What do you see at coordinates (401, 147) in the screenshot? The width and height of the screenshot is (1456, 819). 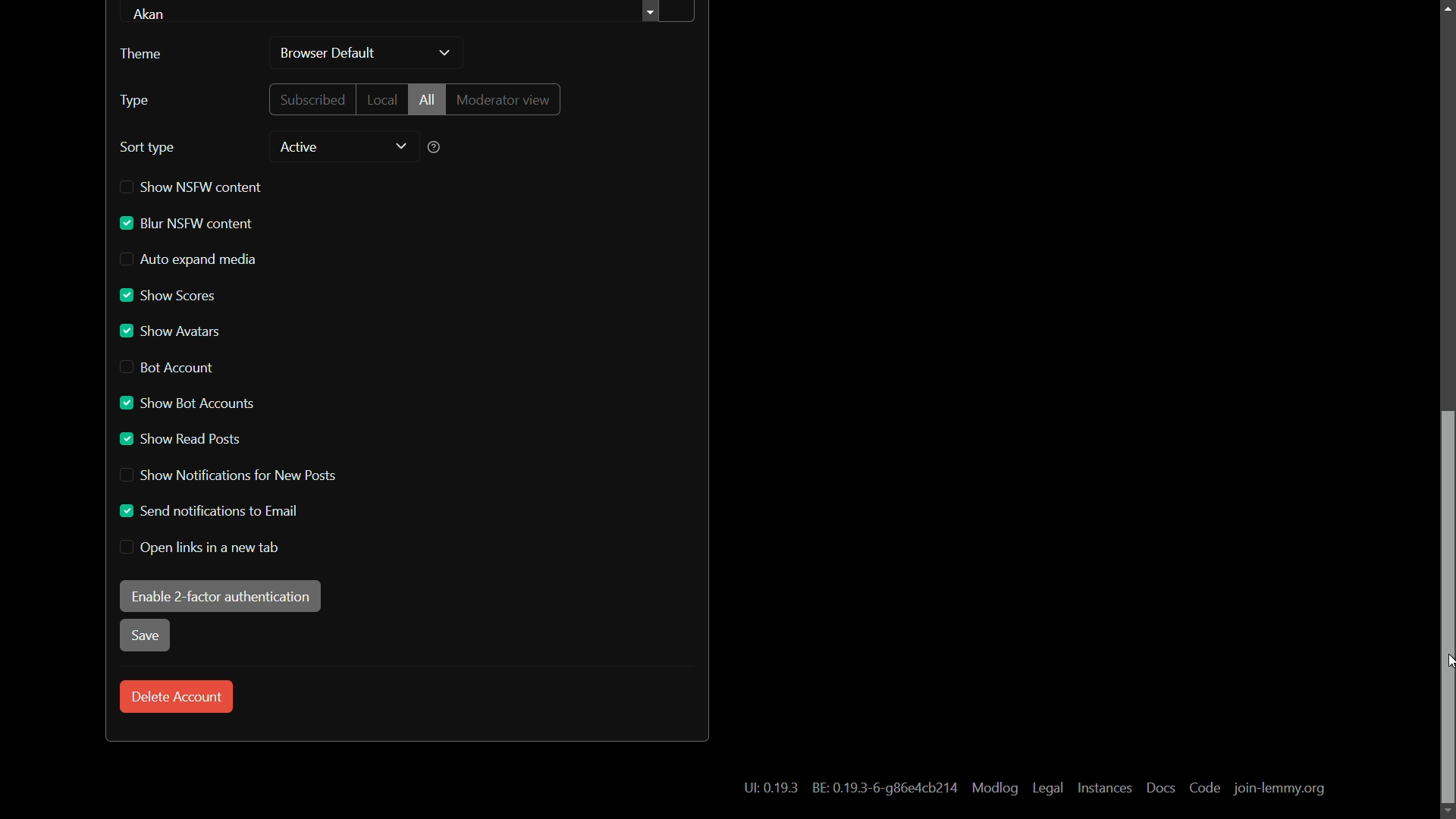 I see `dropdown` at bounding box center [401, 147].